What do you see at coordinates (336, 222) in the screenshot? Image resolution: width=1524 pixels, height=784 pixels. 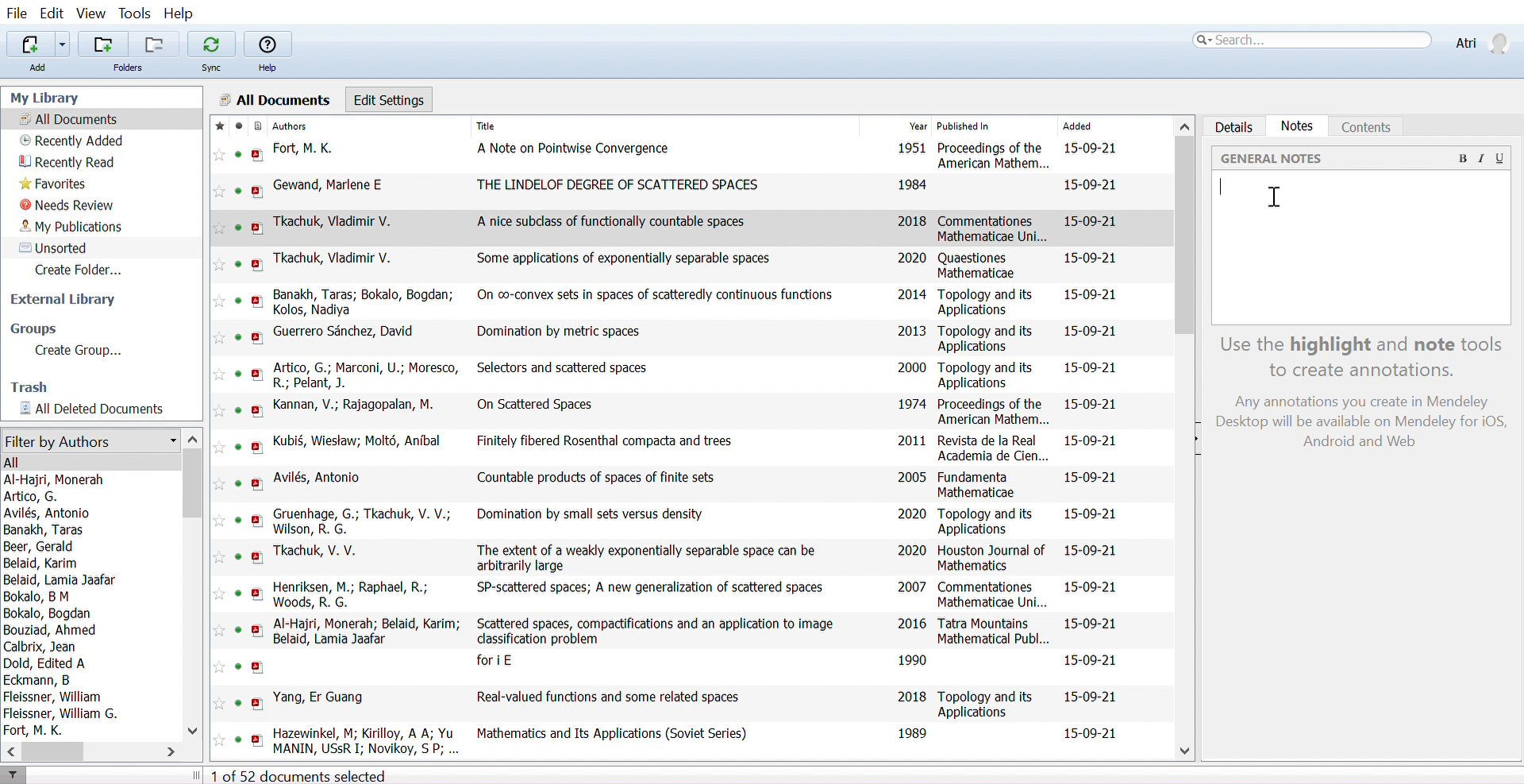 I see `Tkachuk, Vladimir V.` at bounding box center [336, 222].